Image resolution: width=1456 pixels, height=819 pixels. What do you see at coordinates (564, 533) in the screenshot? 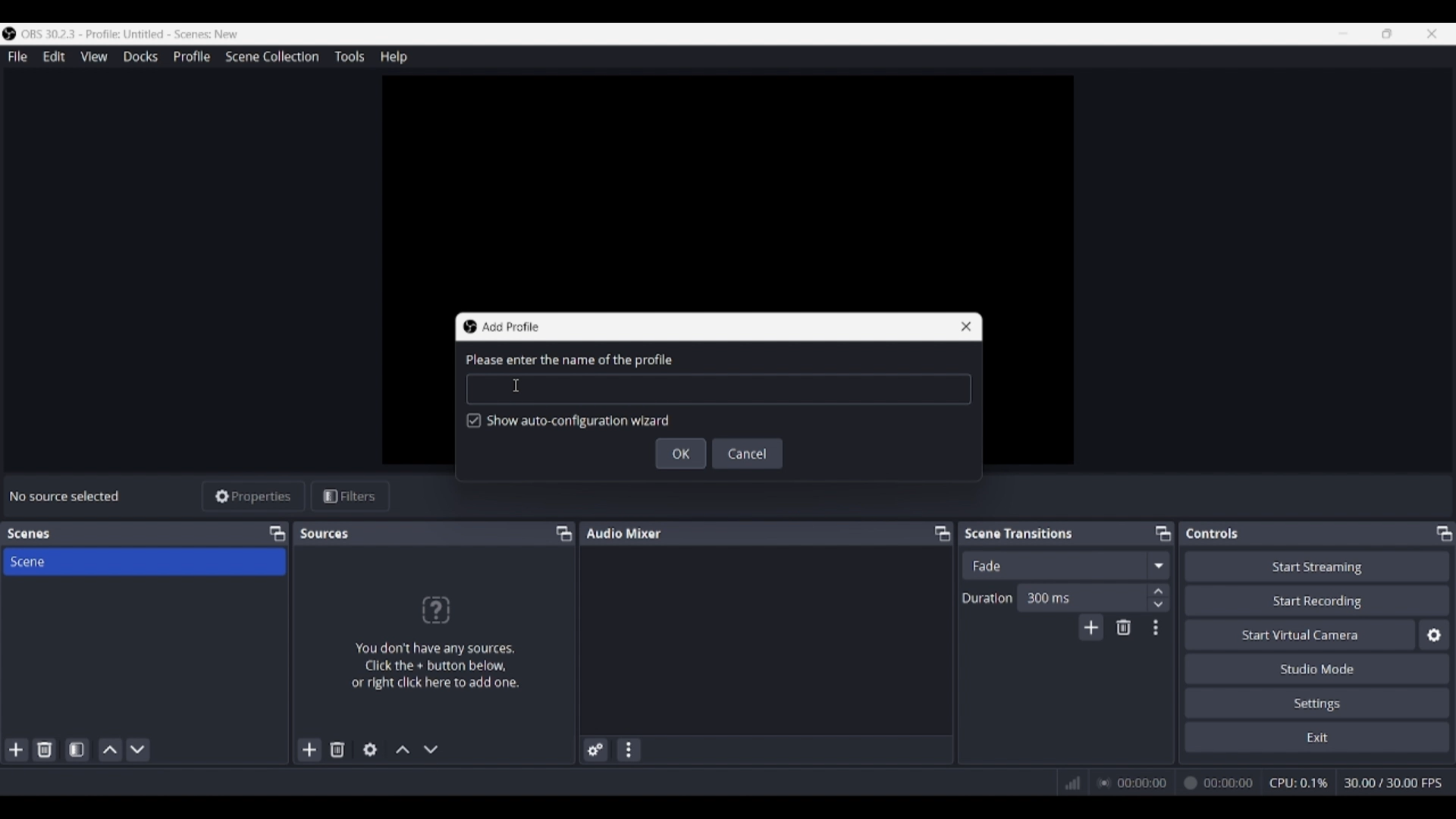
I see `Float Sources` at bounding box center [564, 533].